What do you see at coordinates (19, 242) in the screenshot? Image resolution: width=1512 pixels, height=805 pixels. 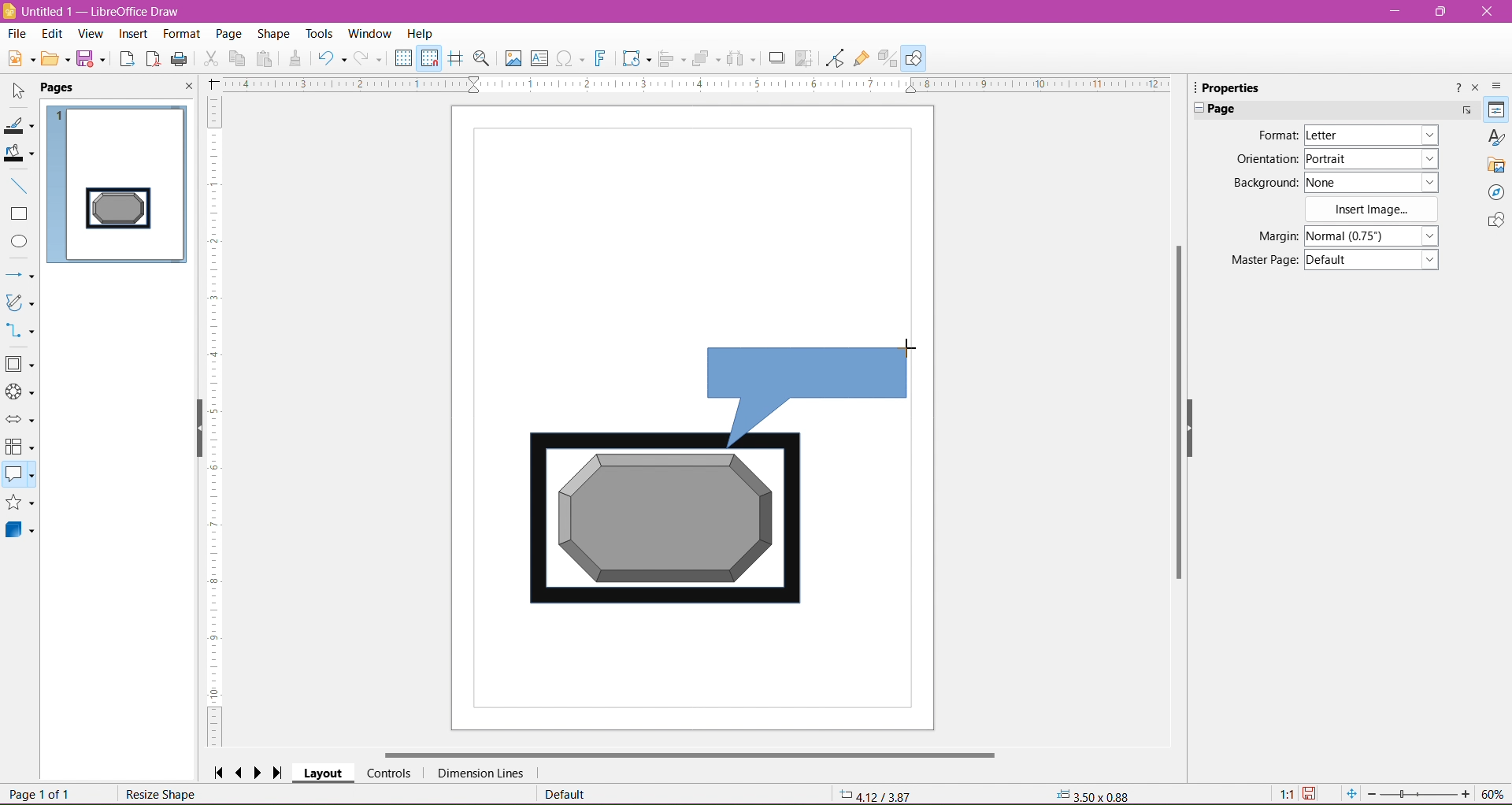 I see `Elipse` at bounding box center [19, 242].